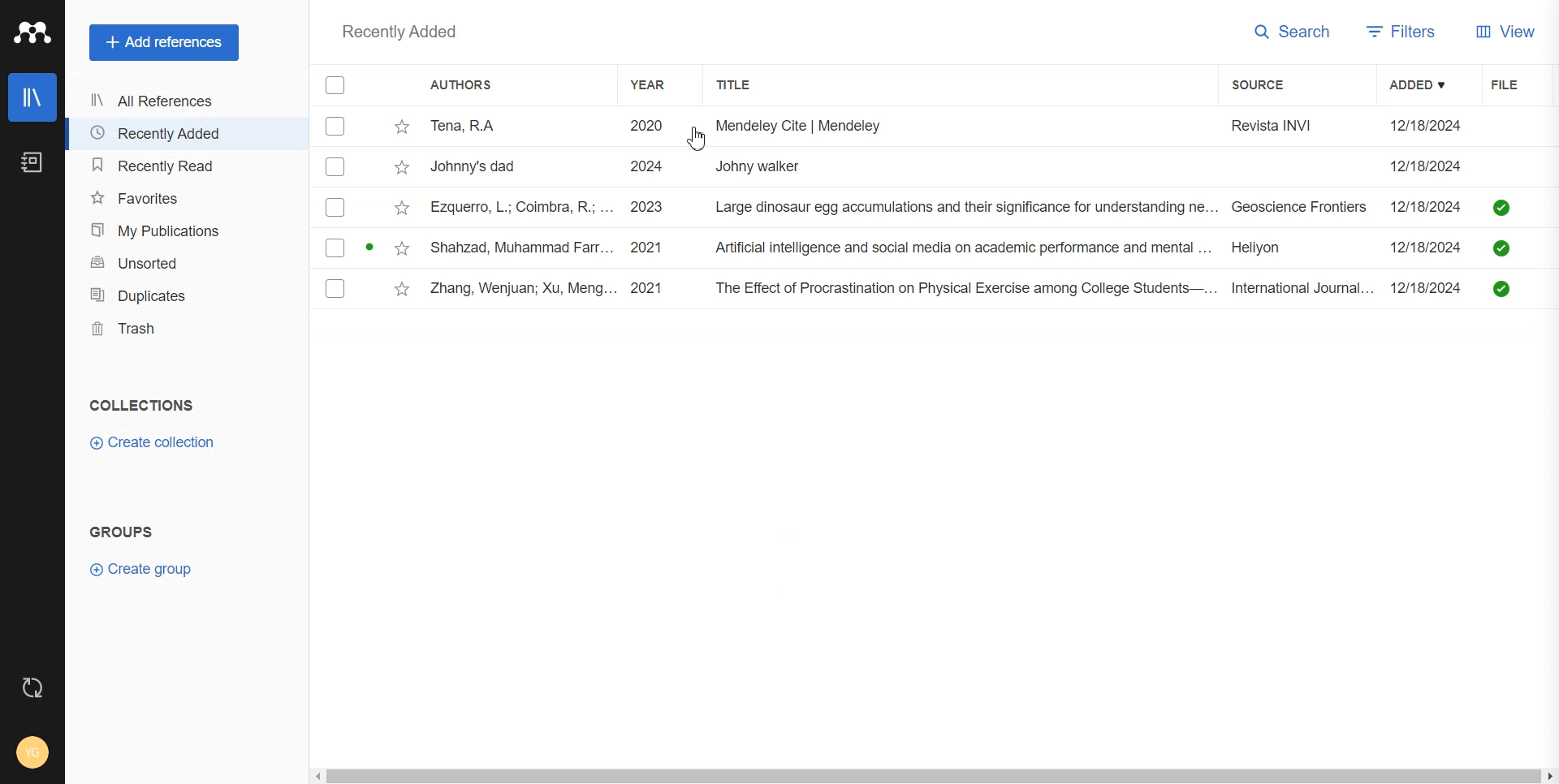 Image resolution: width=1559 pixels, height=784 pixels. I want to click on Checkbox, so click(335, 84).